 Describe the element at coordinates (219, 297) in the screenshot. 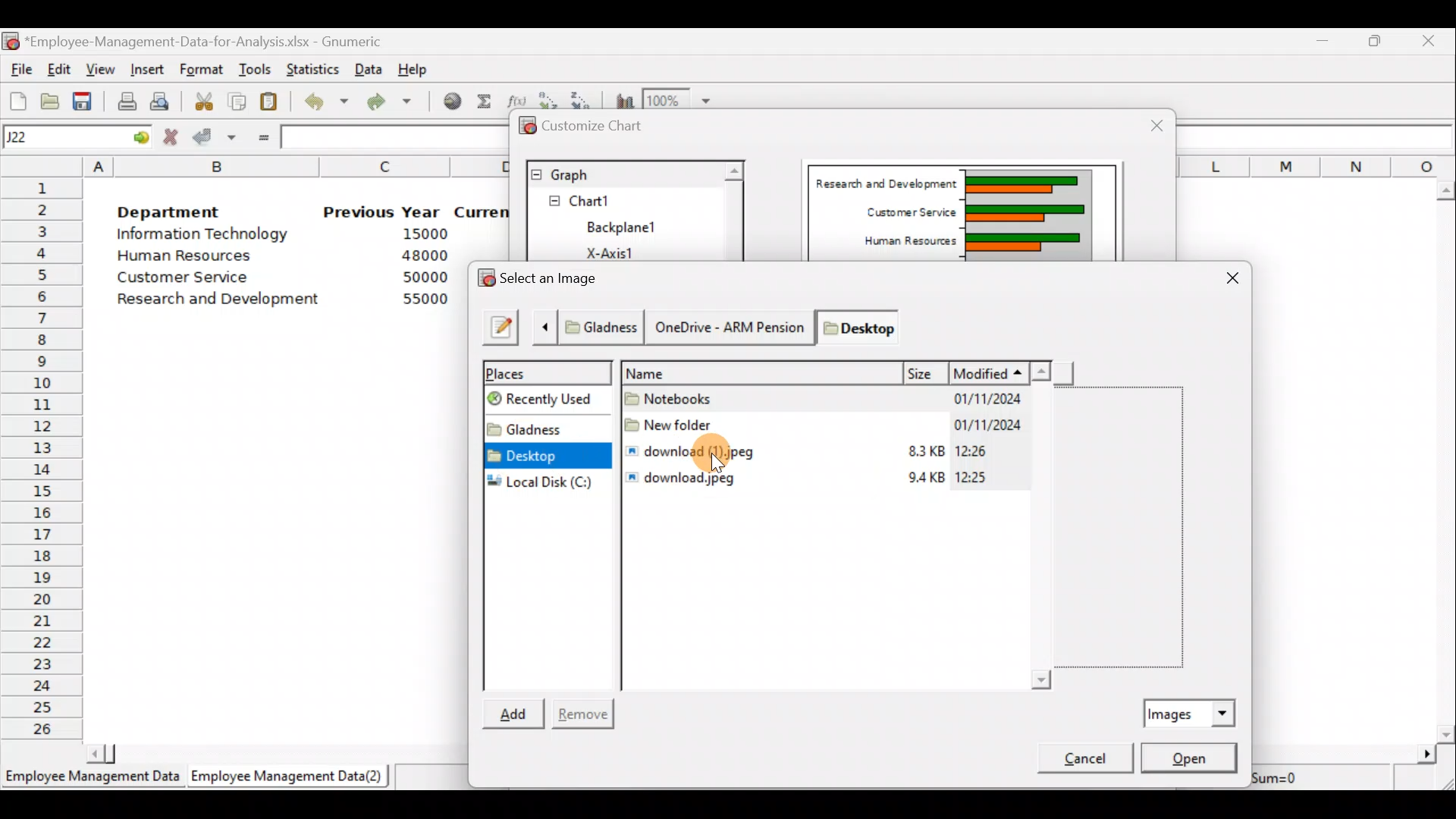

I see `Research and development` at that location.